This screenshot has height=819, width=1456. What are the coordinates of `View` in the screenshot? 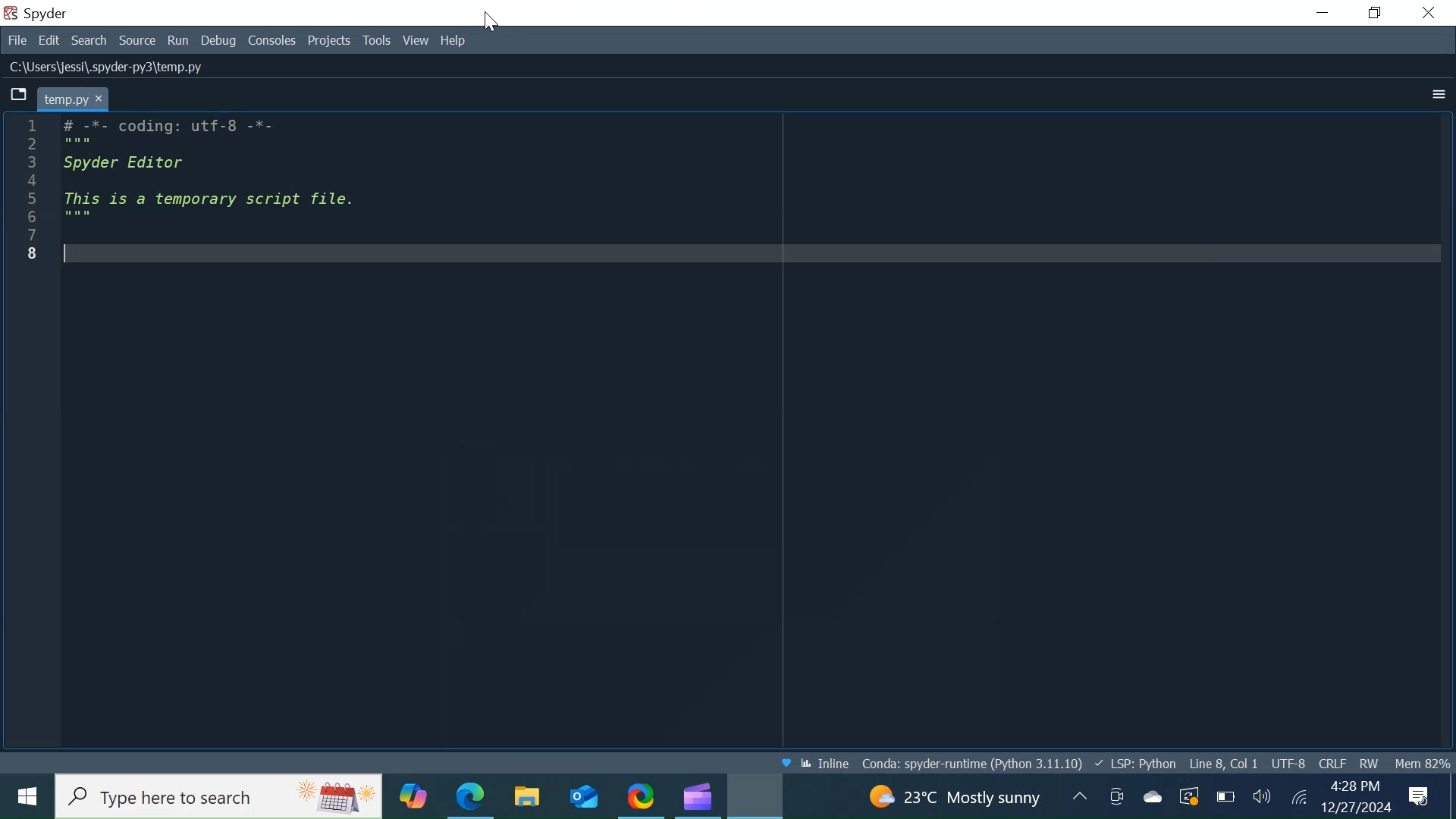 It's located at (417, 41).